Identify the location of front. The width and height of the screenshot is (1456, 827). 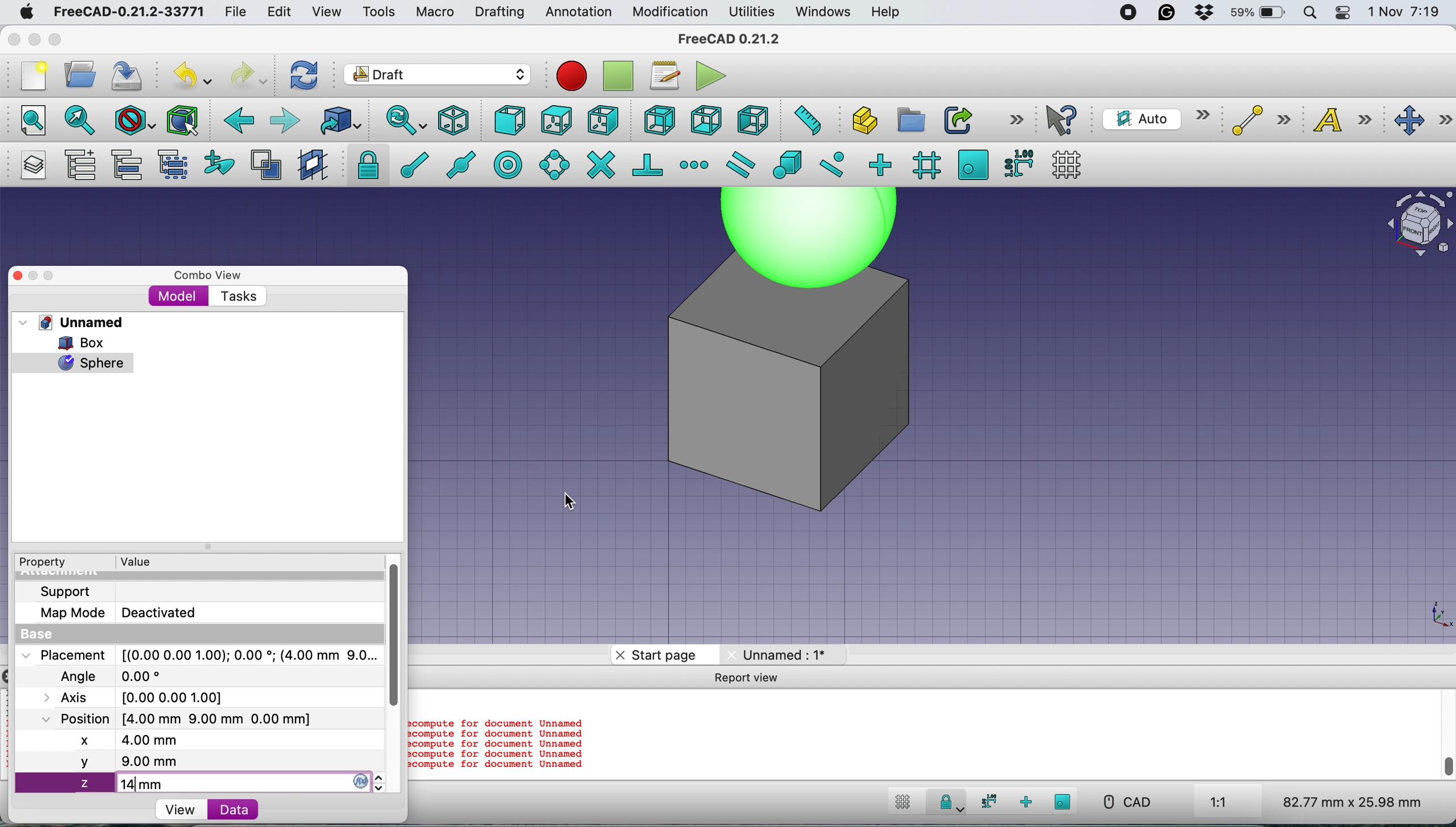
(511, 123).